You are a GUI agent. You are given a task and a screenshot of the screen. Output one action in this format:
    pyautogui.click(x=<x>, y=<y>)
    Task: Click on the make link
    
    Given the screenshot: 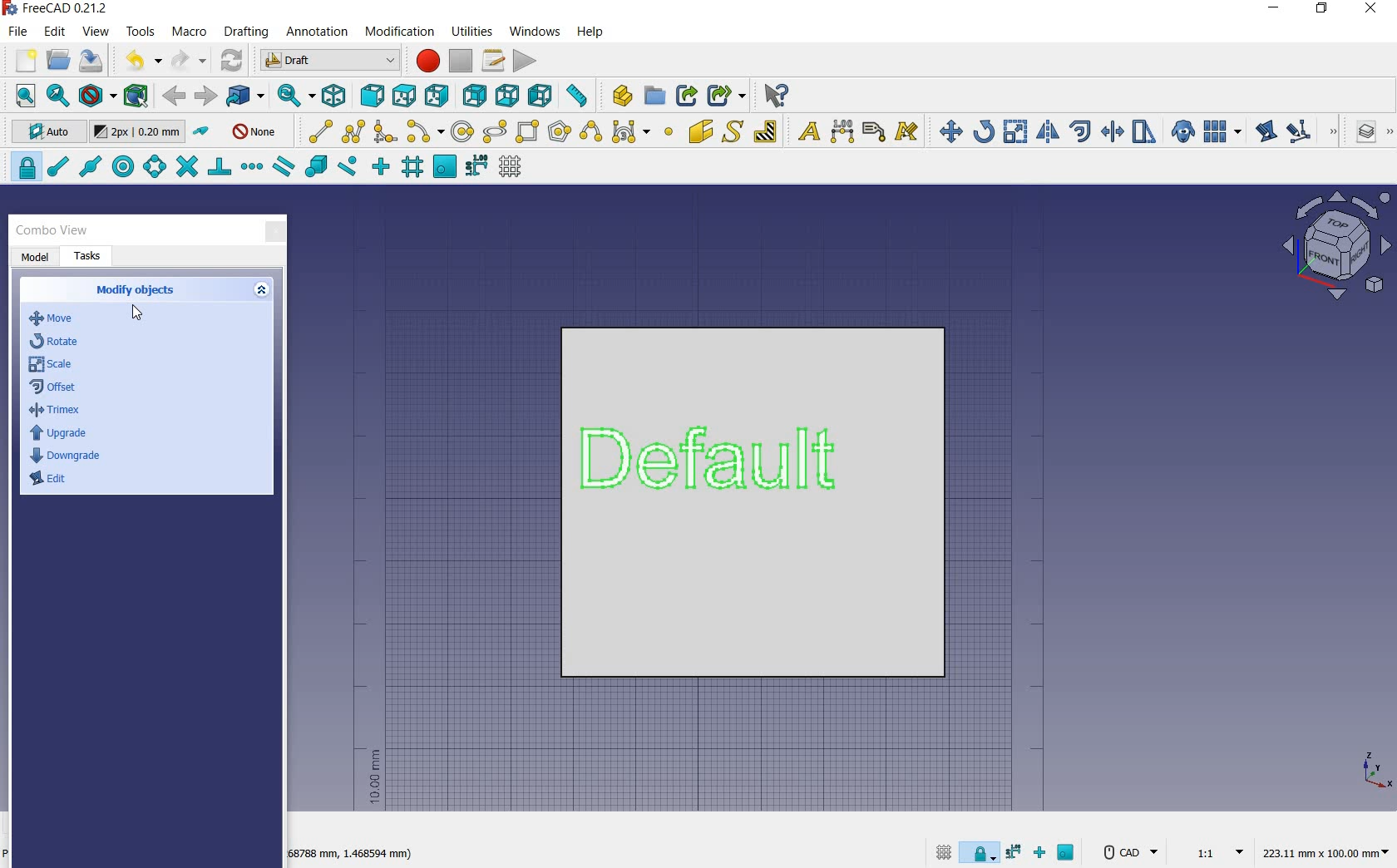 What is the action you would take?
    pyautogui.click(x=687, y=94)
    